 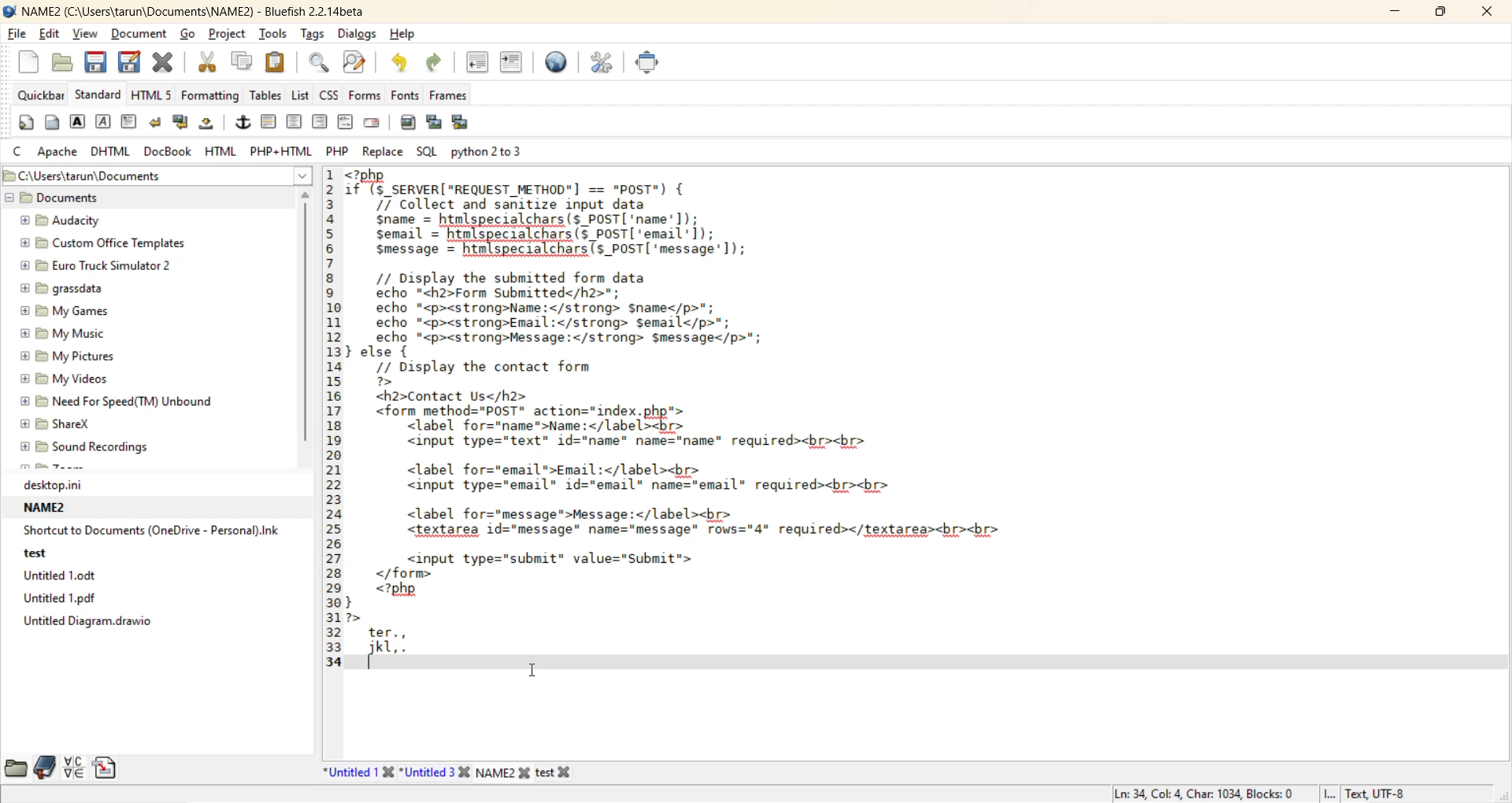 What do you see at coordinates (131, 63) in the screenshot?
I see `save as` at bounding box center [131, 63].